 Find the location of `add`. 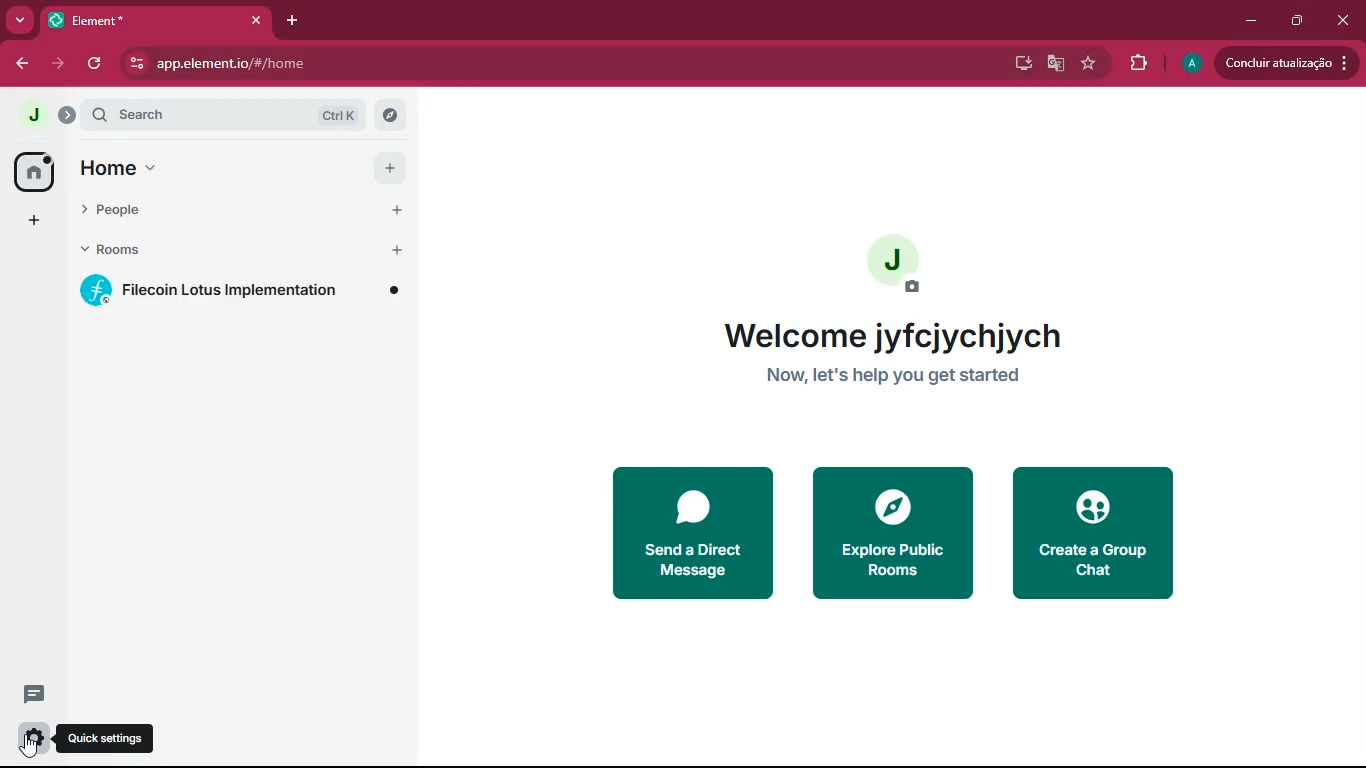

add is located at coordinates (390, 168).